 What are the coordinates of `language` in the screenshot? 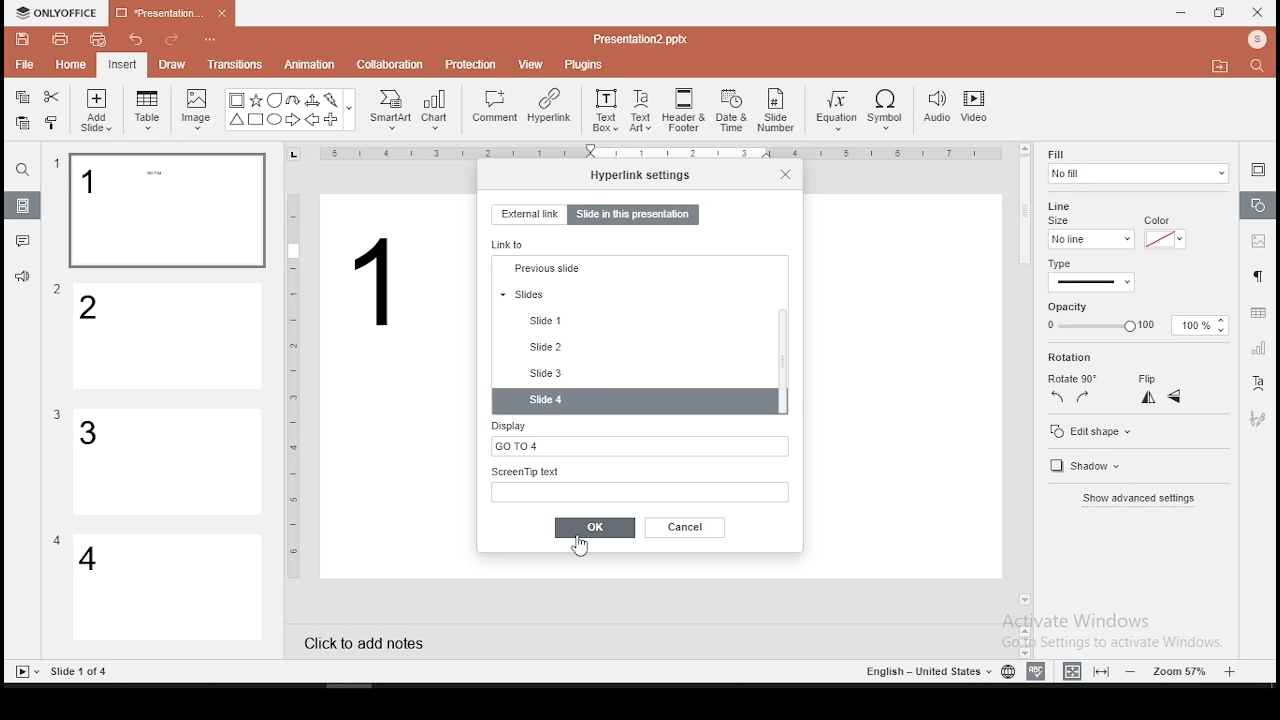 It's located at (1007, 672).